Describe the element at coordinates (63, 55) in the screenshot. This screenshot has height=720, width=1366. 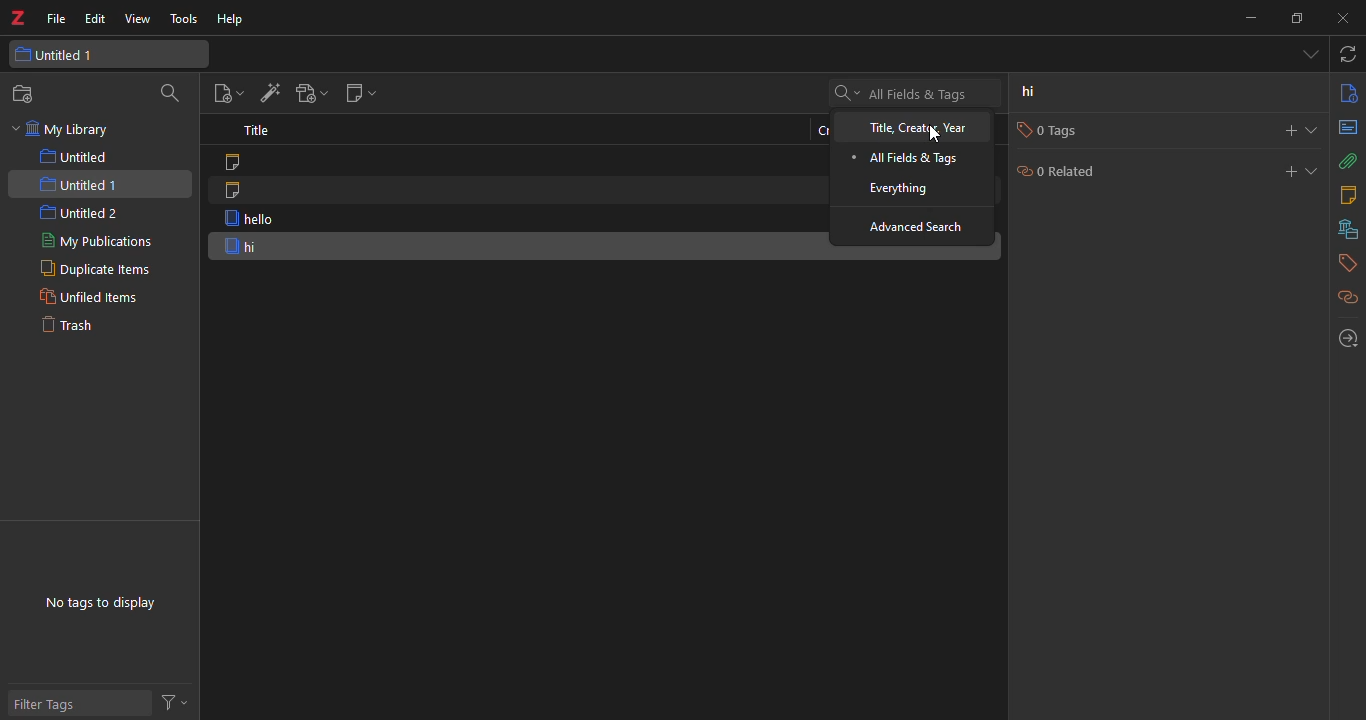
I see `untitled 1` at that location.